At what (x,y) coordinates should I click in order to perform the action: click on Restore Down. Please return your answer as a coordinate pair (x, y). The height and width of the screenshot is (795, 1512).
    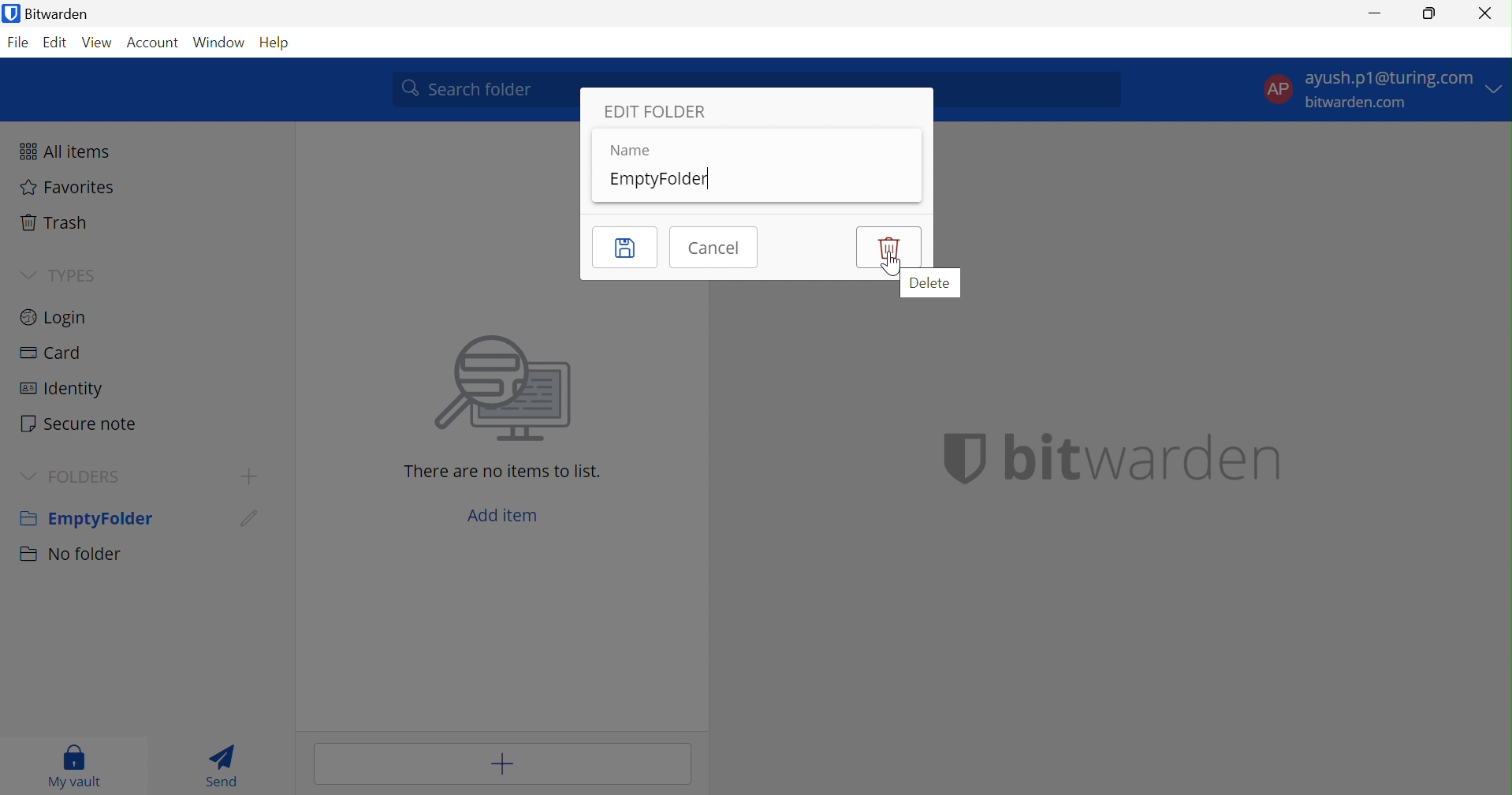
    Looking at the image, I should click on (1430, 11).